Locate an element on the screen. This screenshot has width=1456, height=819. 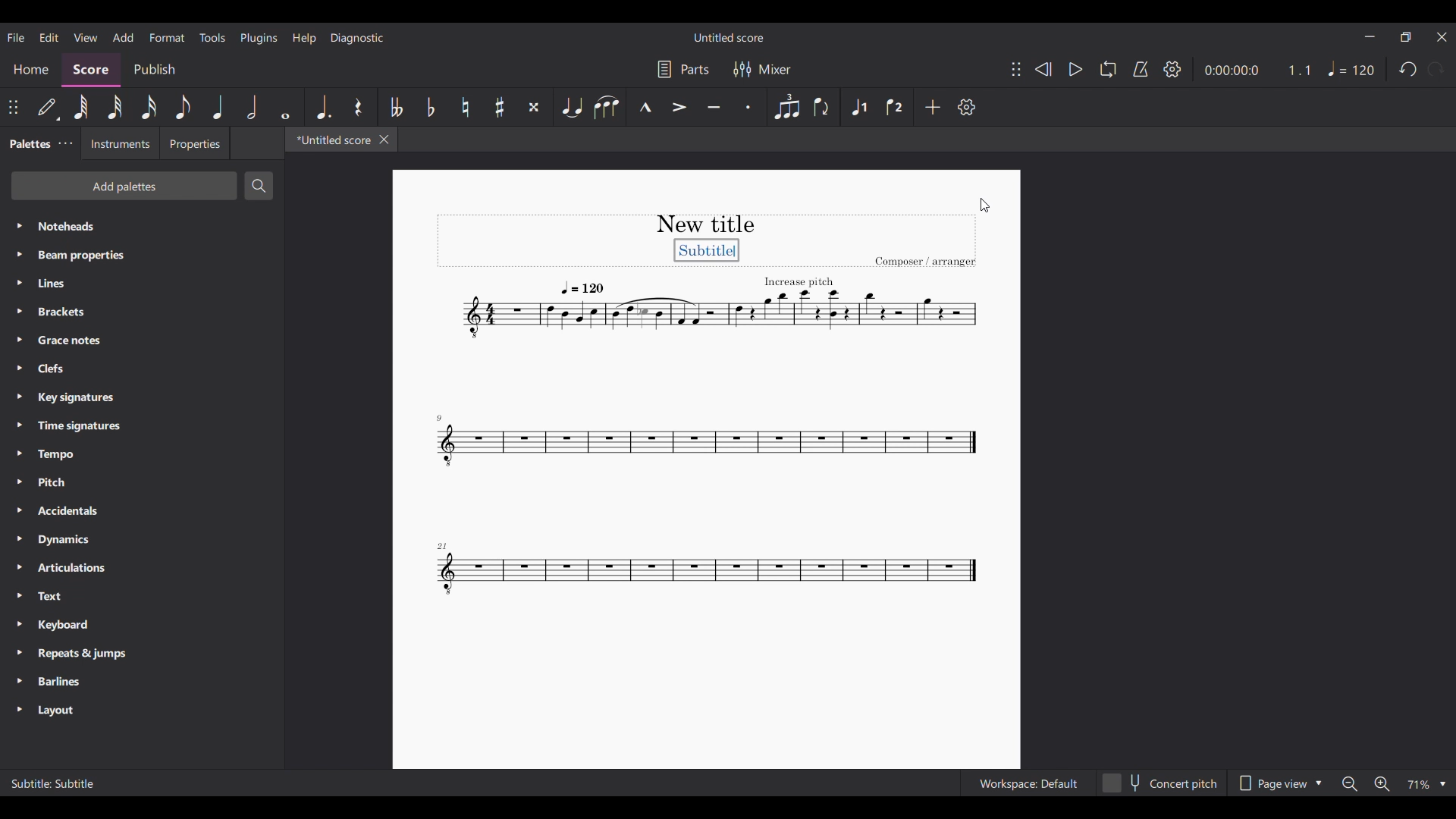
Metronome is located at coordinates (1141, 69).